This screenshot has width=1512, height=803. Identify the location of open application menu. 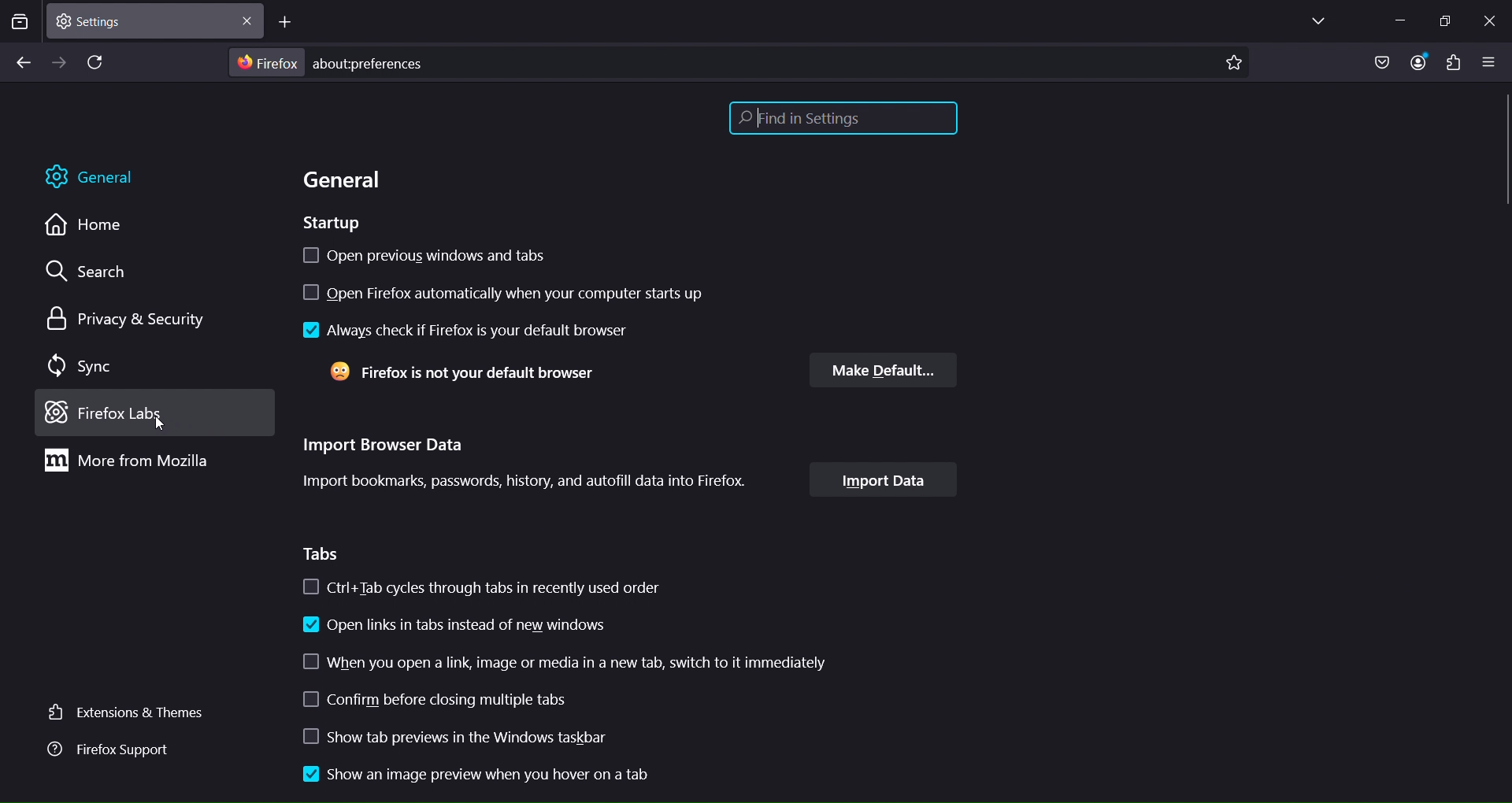
(1492, 63).